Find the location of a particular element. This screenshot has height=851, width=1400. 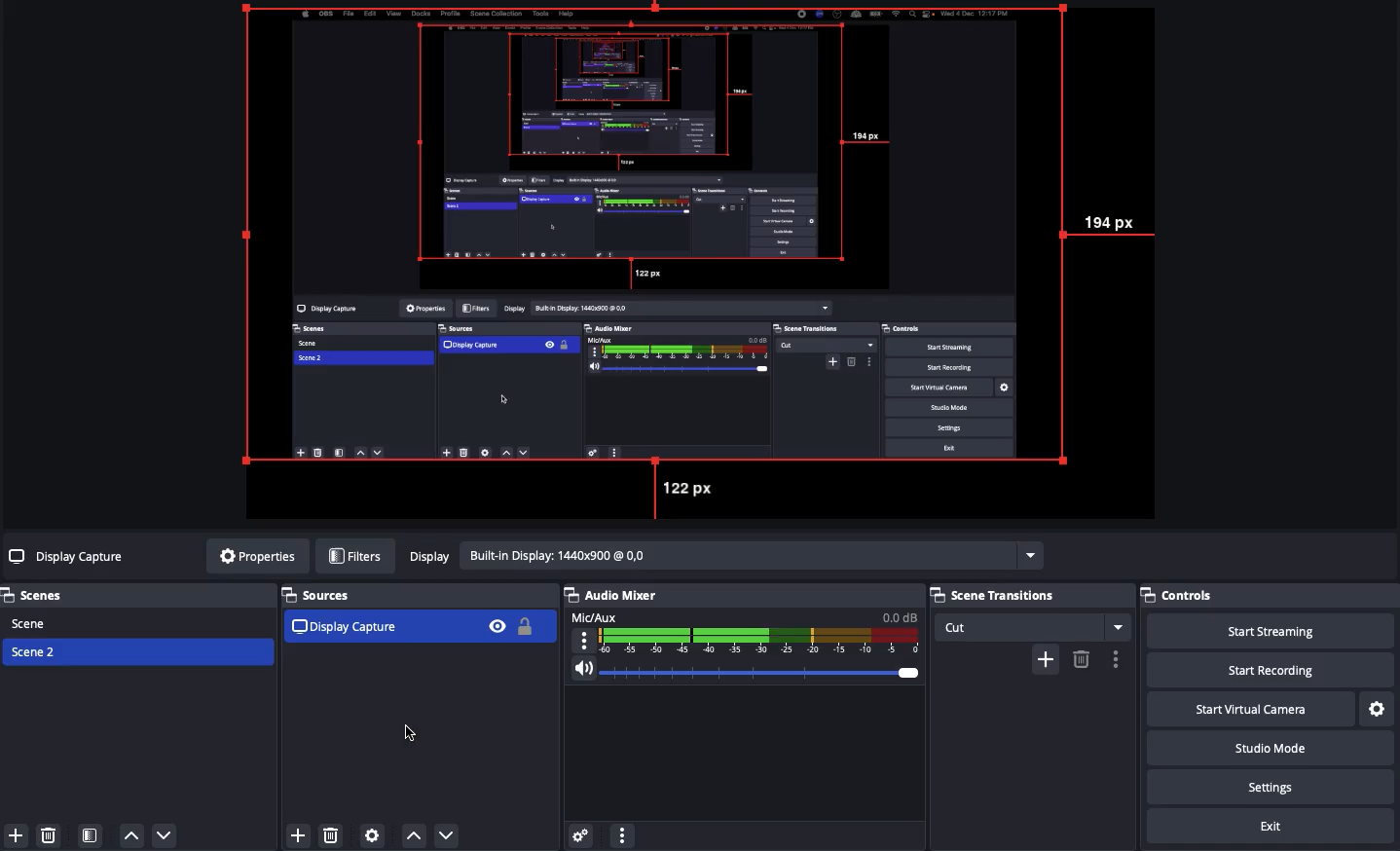

Mic aux is located at coordinates (746, 631).